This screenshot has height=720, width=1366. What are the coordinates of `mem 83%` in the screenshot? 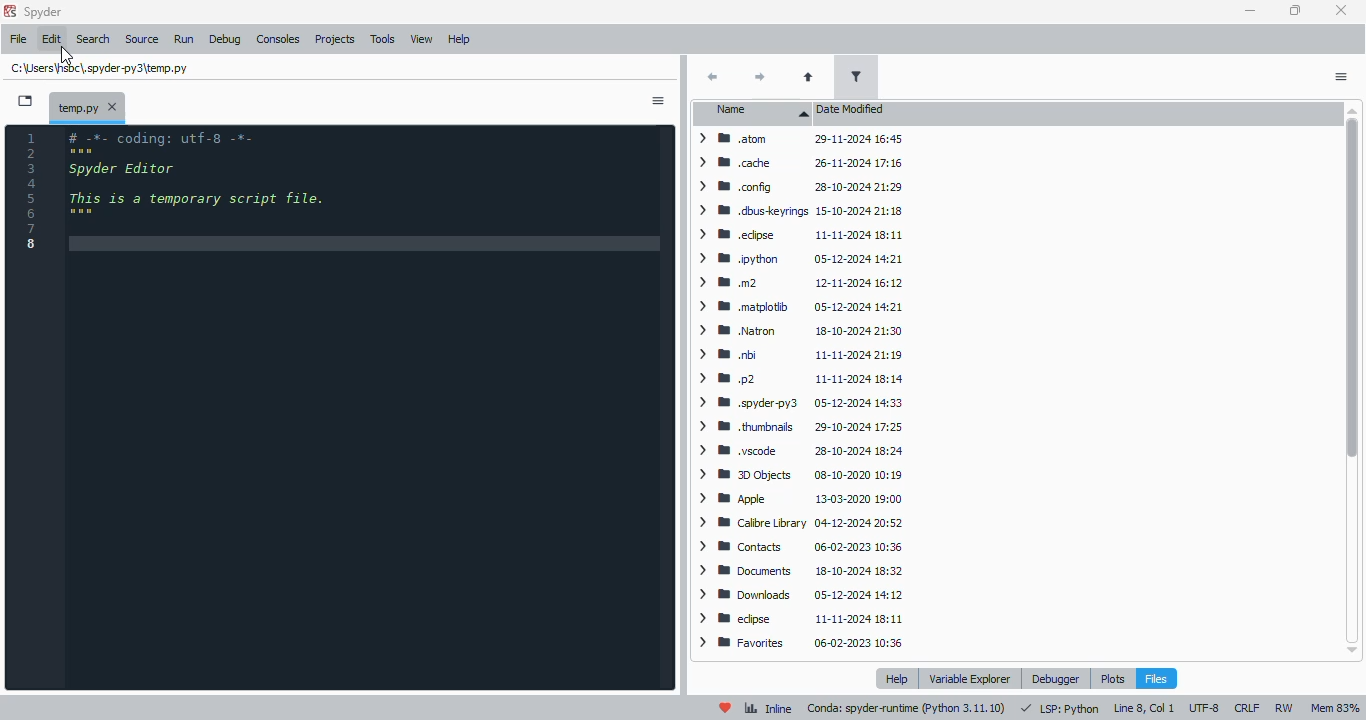 It's located at (1334, 708).